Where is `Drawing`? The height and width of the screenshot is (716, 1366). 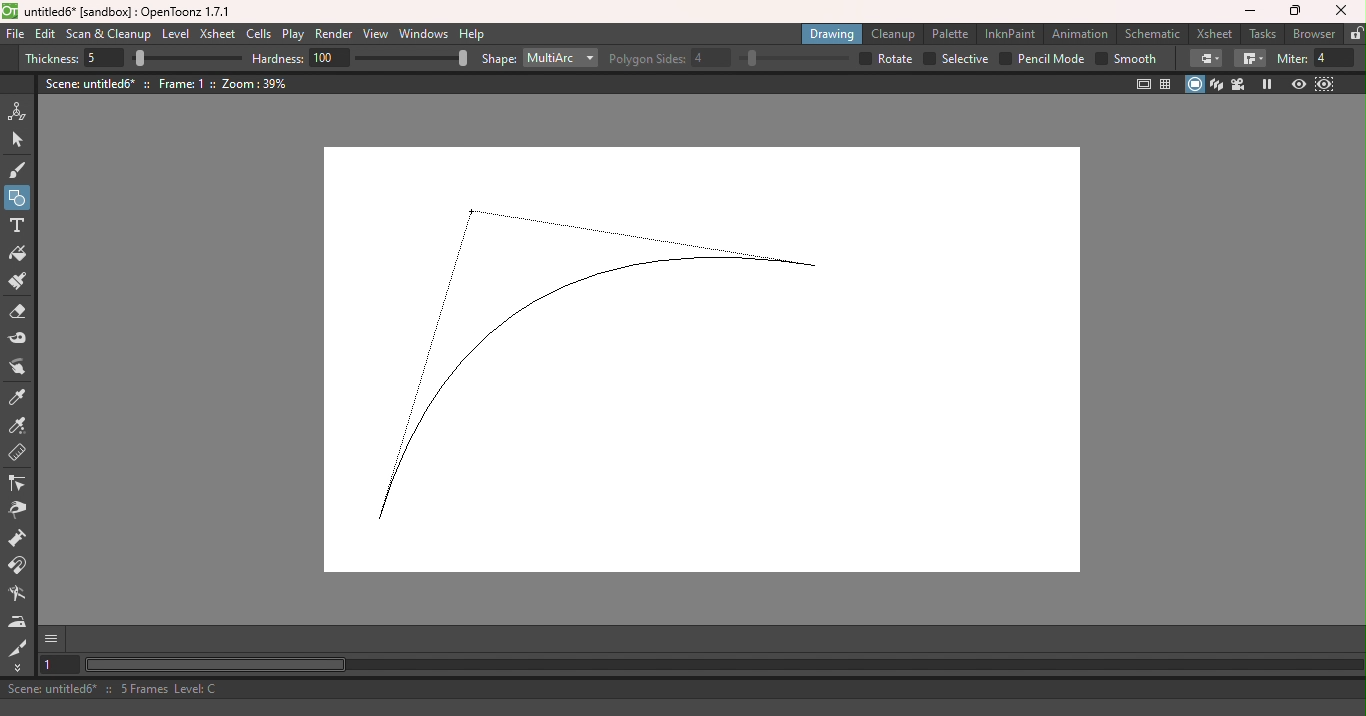 Drawing is located at coordinates (832, 34).